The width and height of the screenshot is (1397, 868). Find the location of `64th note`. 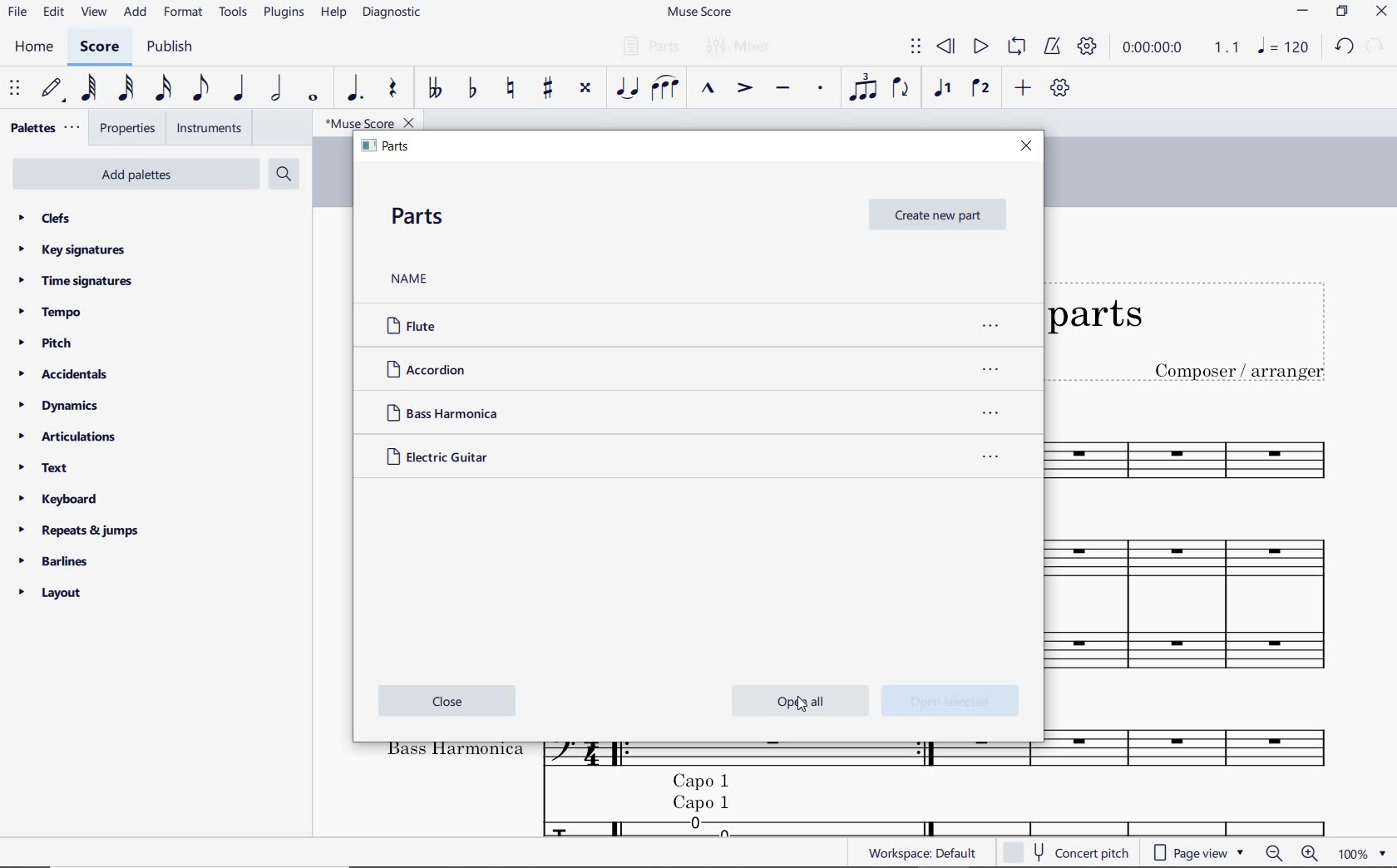

64th note is located at coordinates (88, 87).